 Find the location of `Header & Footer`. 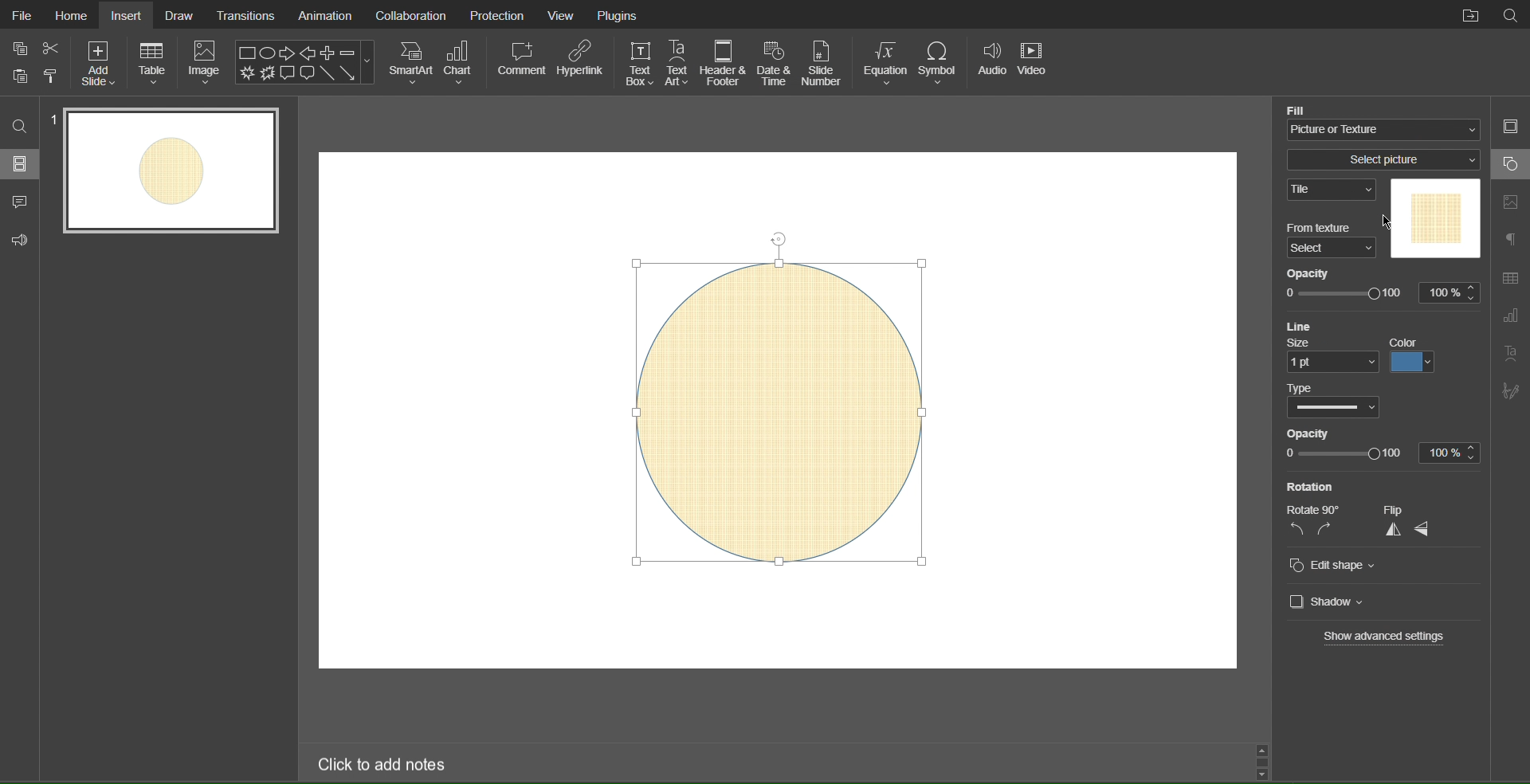

Header & Footer is located at coordinates (725, 62).